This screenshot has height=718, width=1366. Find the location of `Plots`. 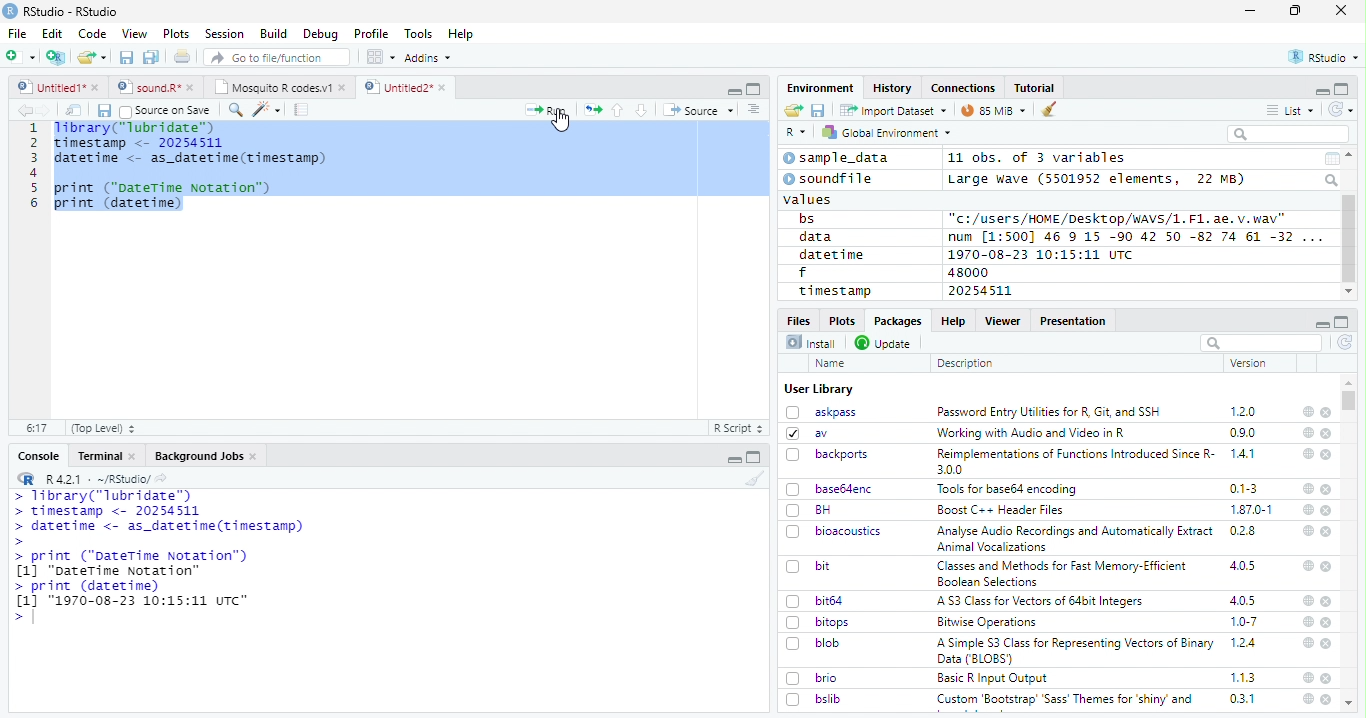

Plots is located at coordinates (176, 34).